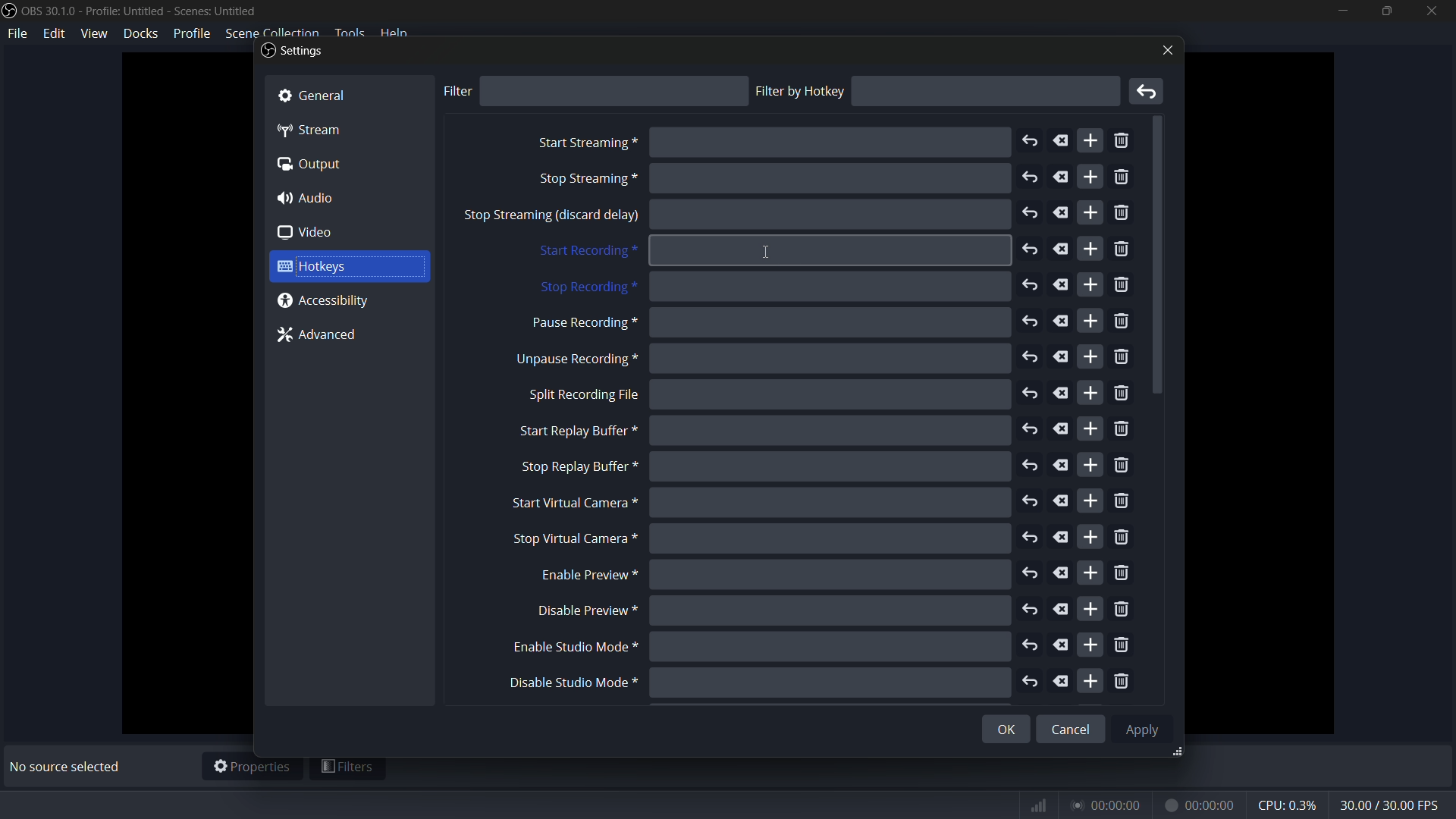 This screenshot has height=819, width=1456. Describe the element at coordinates (1062, 466) in the screenshot. I see `delete` at that location.